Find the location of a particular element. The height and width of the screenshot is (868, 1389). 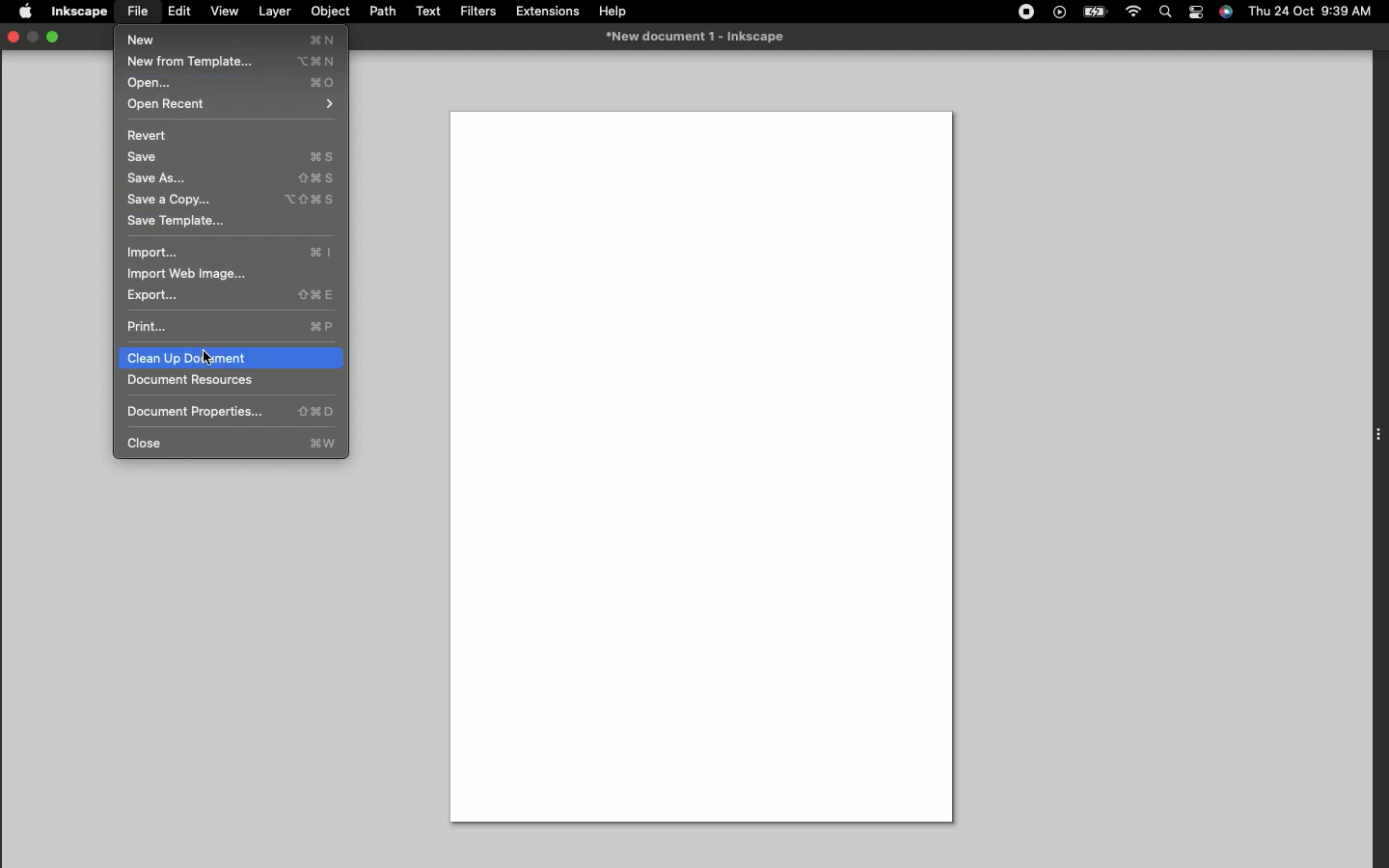

Save a copy is located at coordinates (233, 201).